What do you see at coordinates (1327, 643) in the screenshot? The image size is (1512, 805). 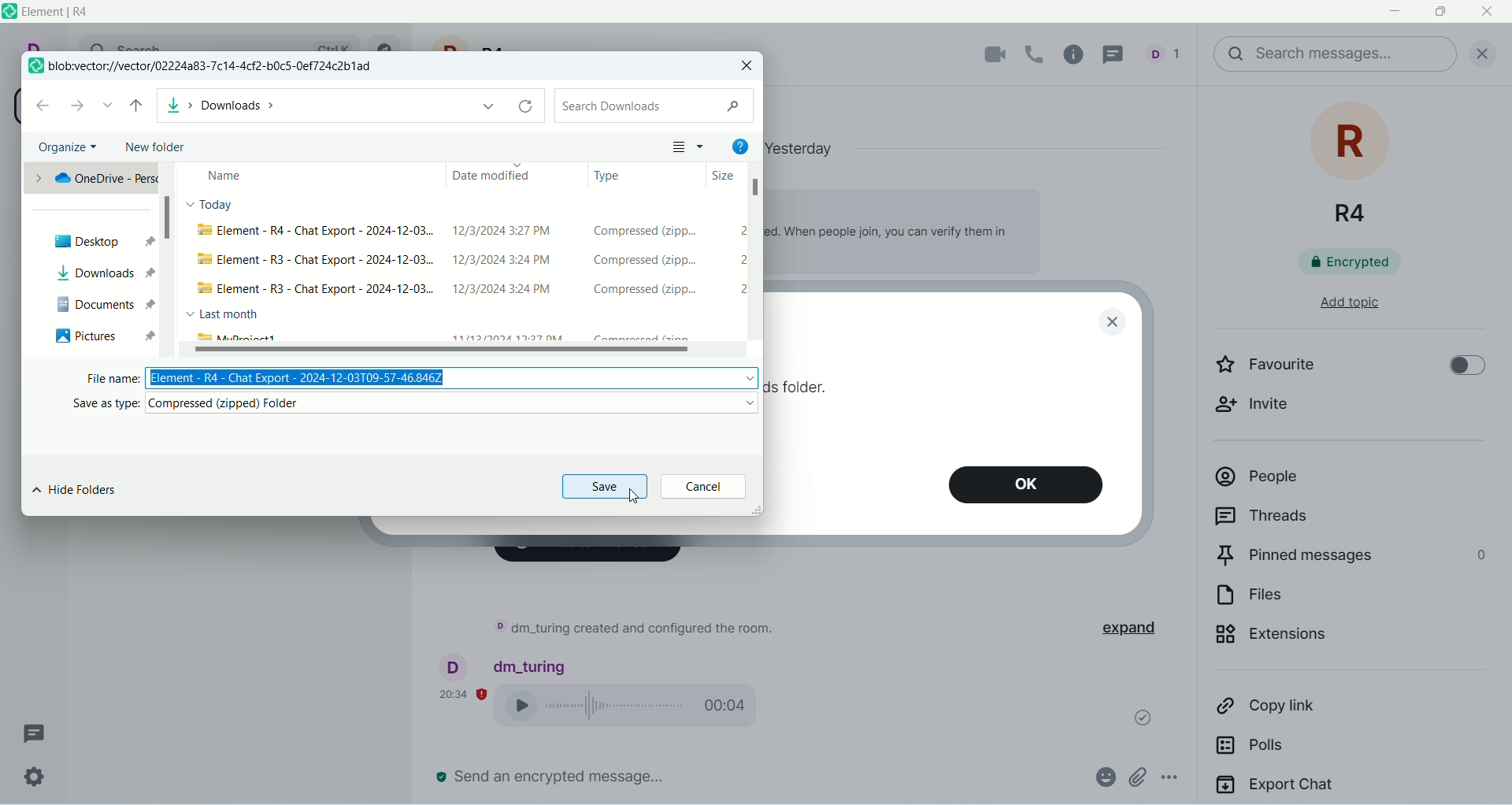 I see `extensions` at bounding box center [1327, 643].